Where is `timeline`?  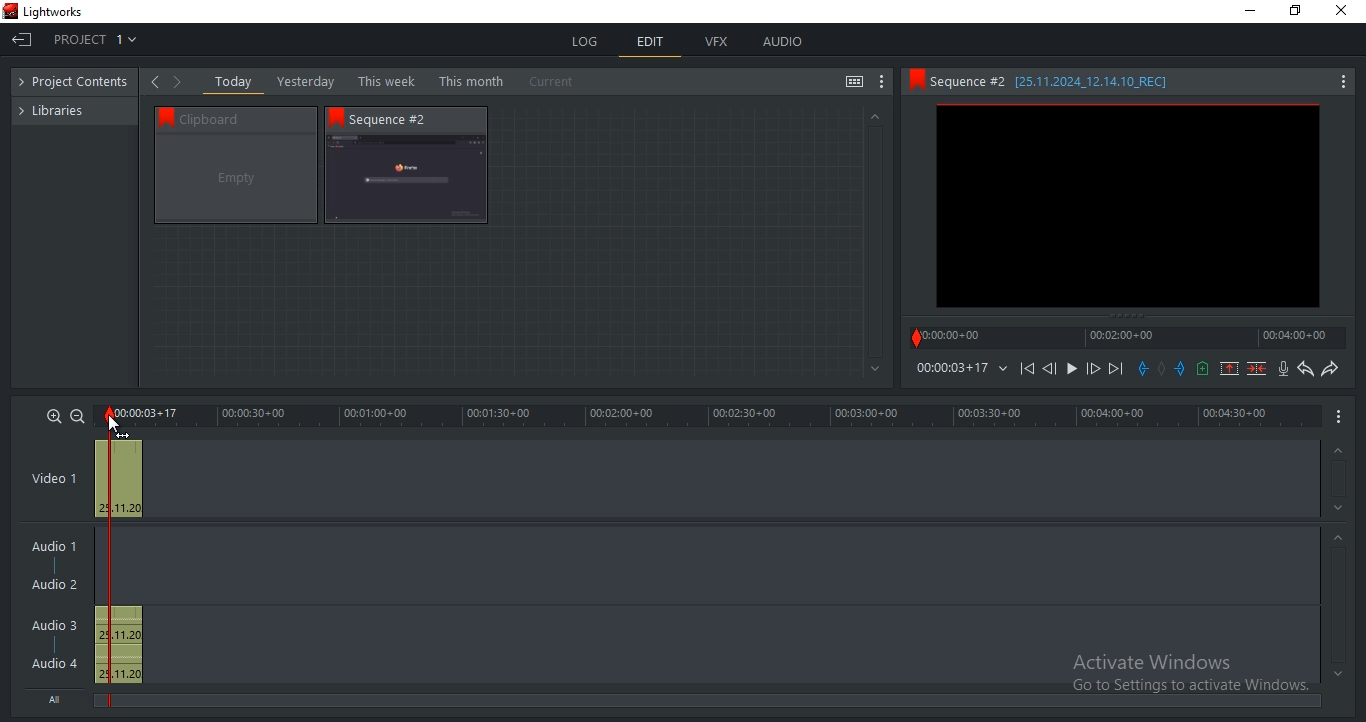
timeline is located at coordinates (951, 368).